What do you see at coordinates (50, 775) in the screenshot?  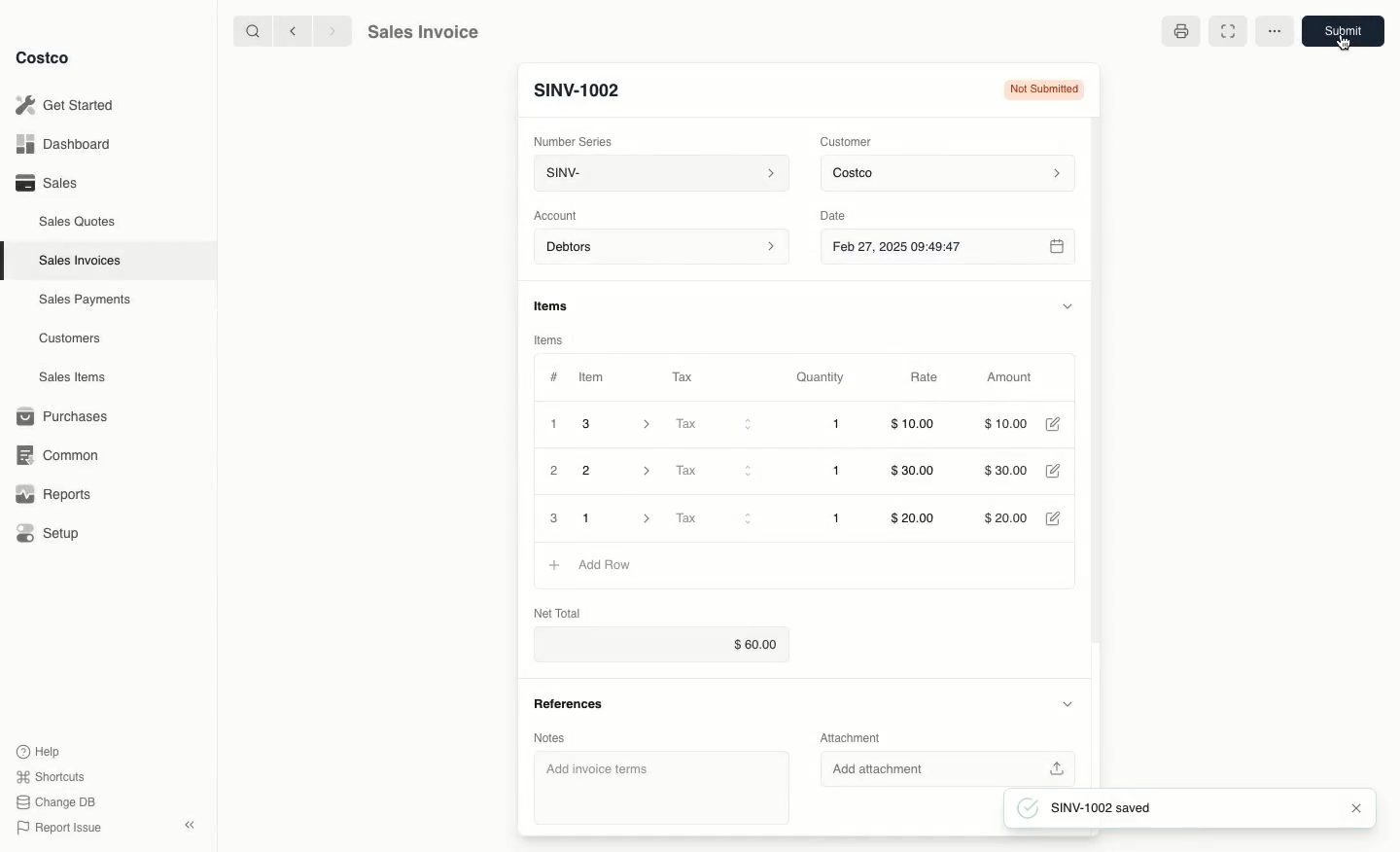 I see `Shortcuts` at bounding box center [50, 775].